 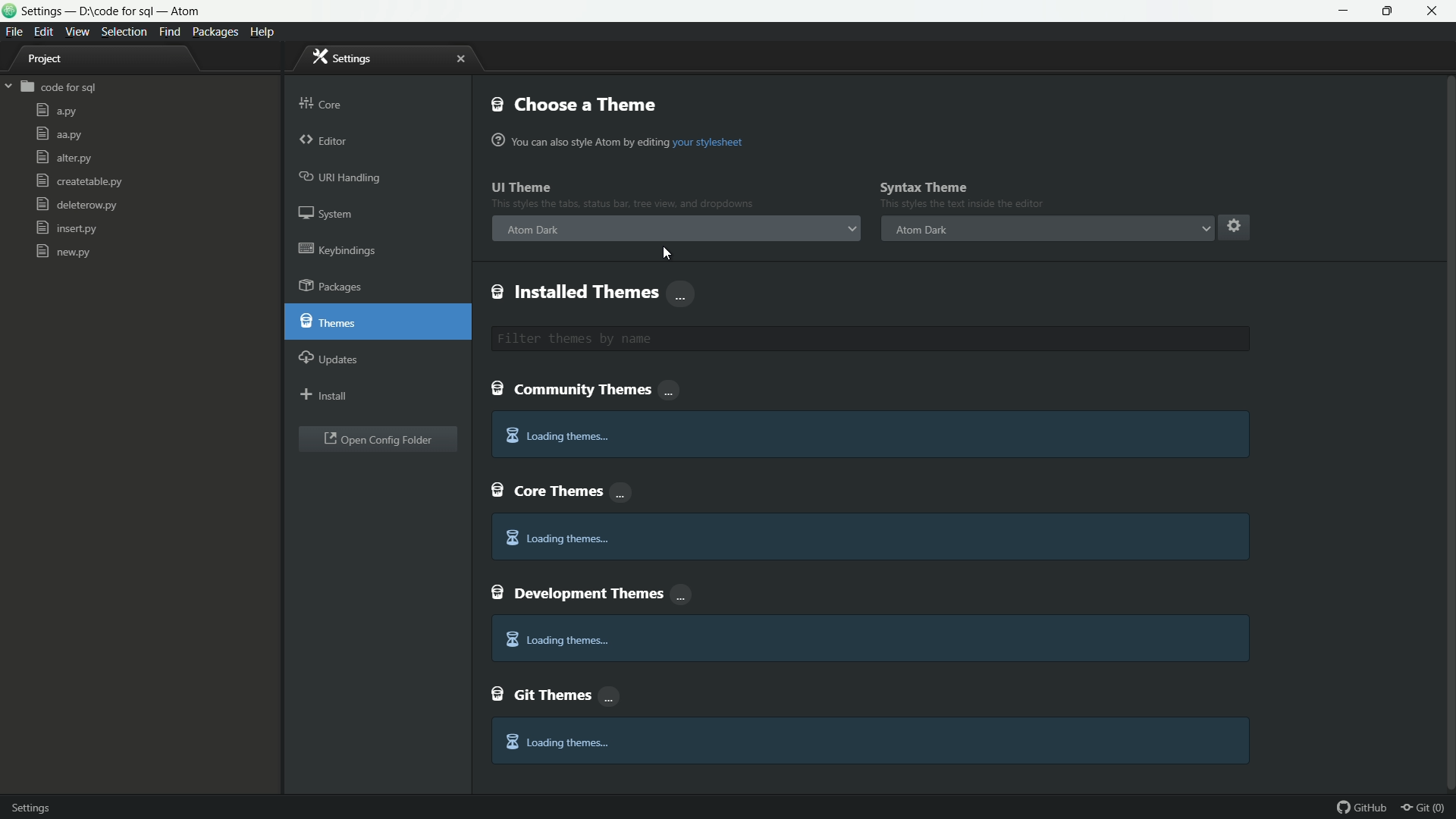 I want to click on themes, so click(x=327, y=319).